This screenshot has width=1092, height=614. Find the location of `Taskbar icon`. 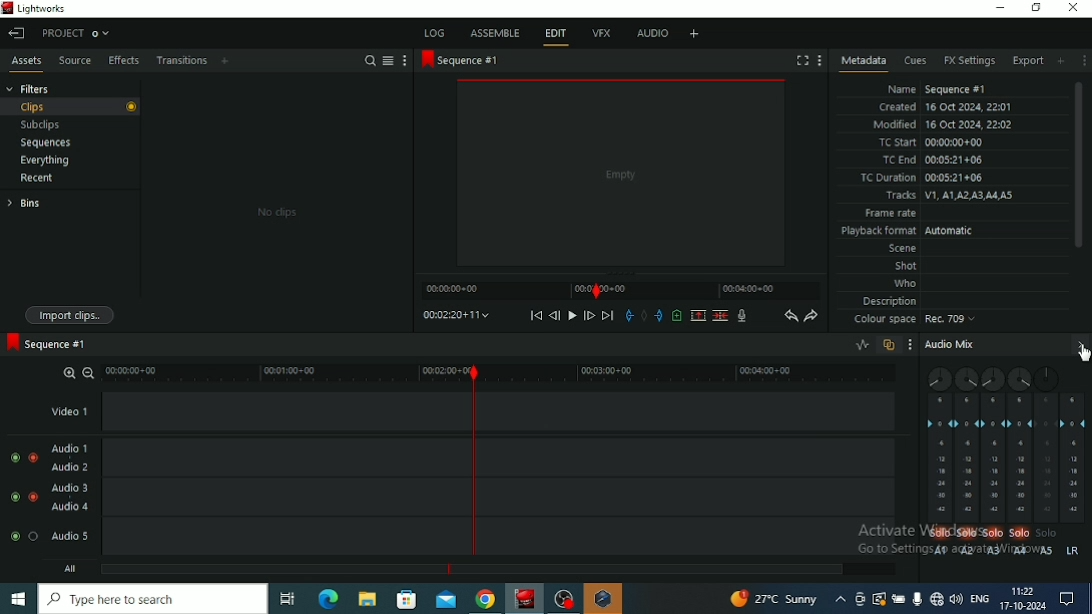

Taskbar icon is located at coordinates (605, 598).